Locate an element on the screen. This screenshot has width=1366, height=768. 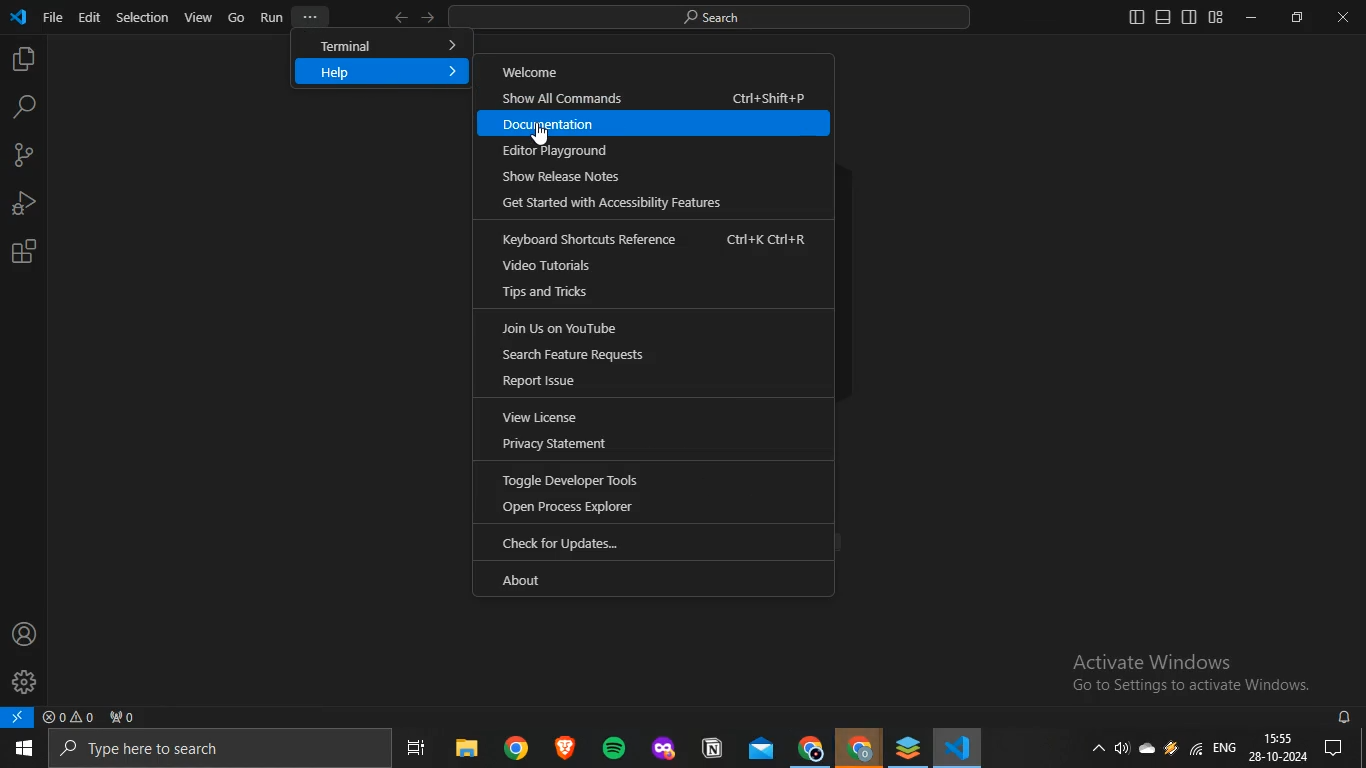
Search feature Requests is located at coordinates (645, 355).